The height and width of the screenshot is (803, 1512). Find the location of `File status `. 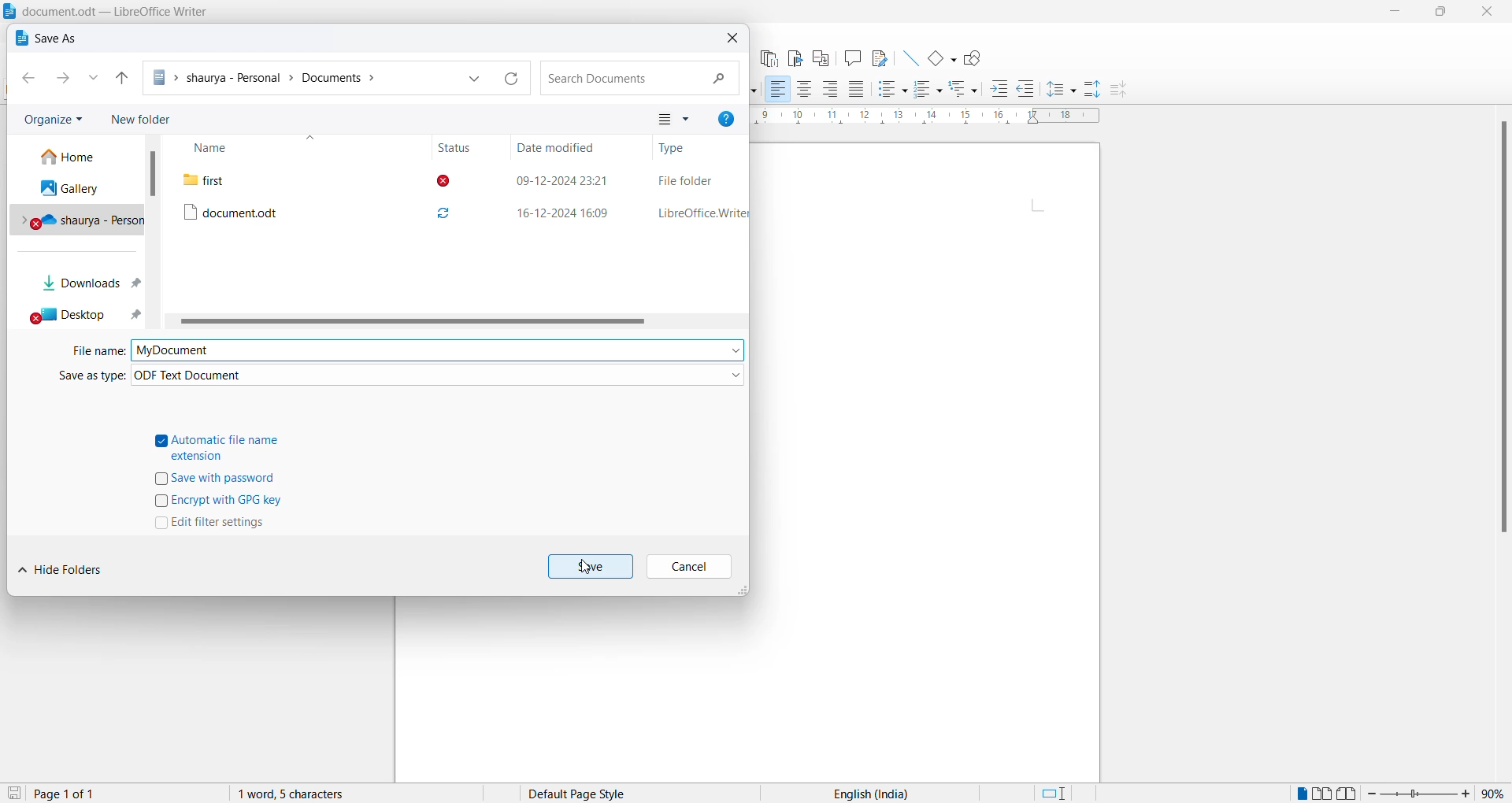

File status  is located at coordinates (453, 200).